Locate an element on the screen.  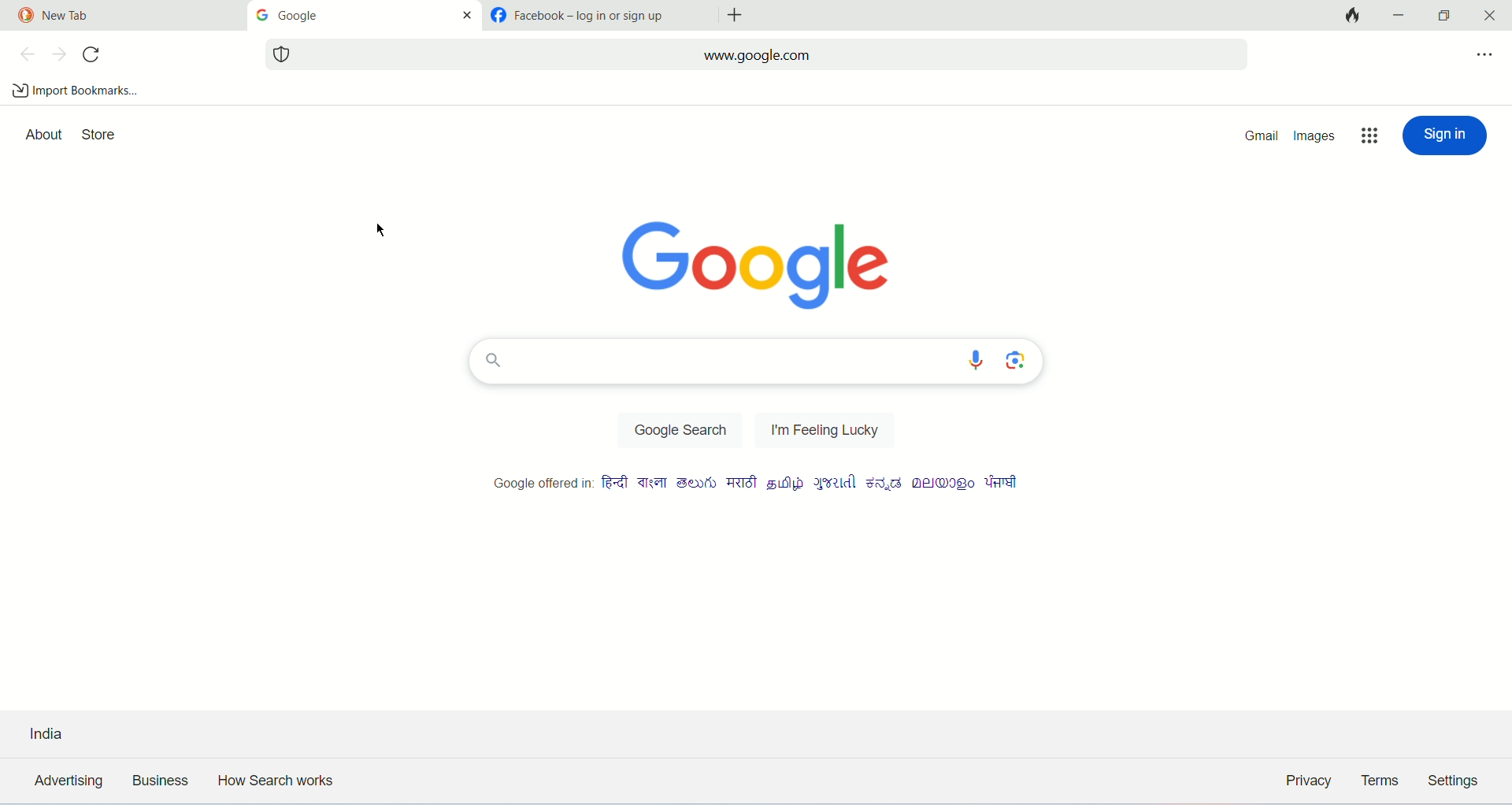
advertising is located at coordinates (65, 783).